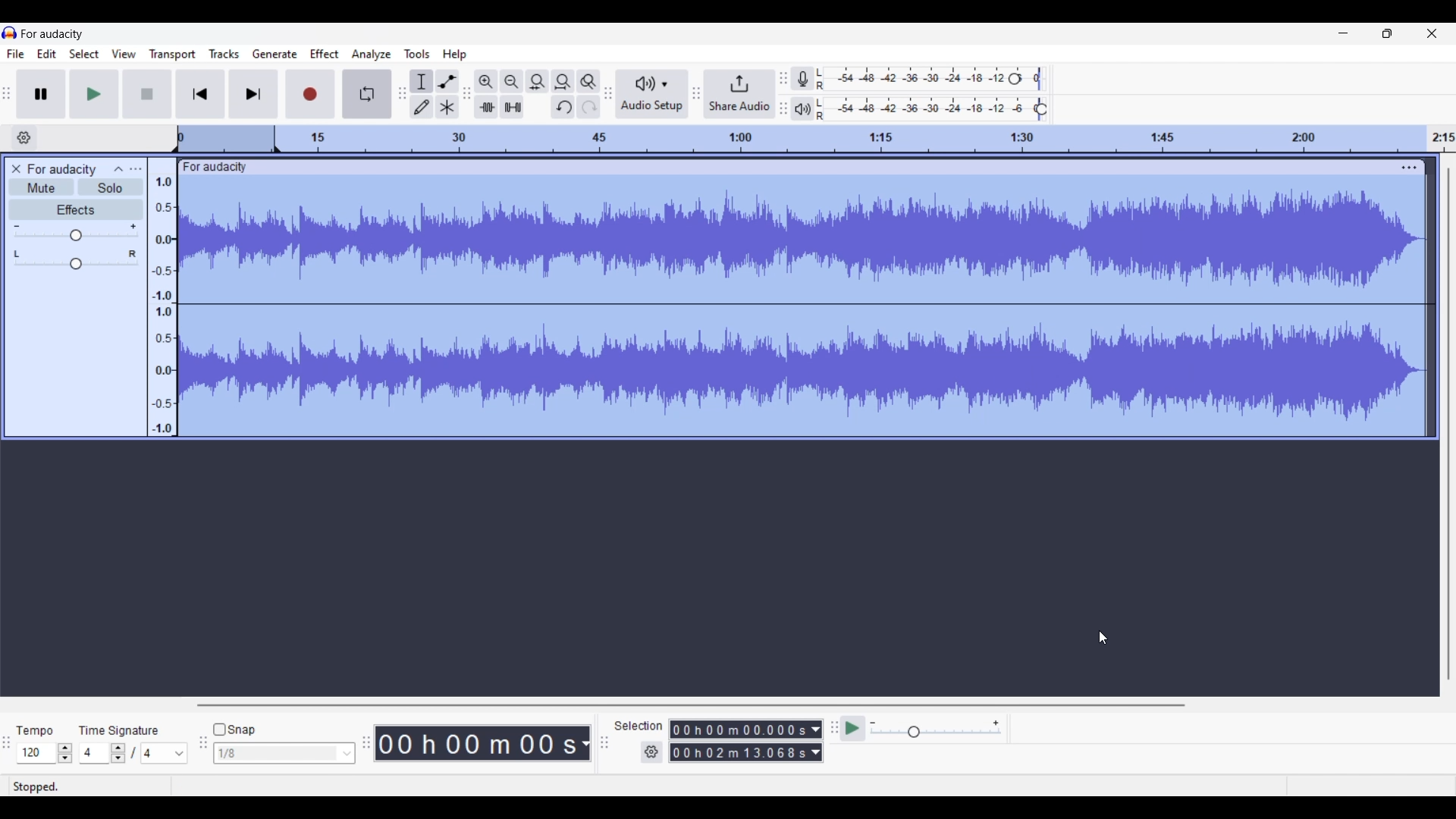 The width and height of the screenshot is (1456, 819). What do you see at coordinates (416, 54) in the screenshot?
I see `Tools menu` at bounding box center [416, 54].